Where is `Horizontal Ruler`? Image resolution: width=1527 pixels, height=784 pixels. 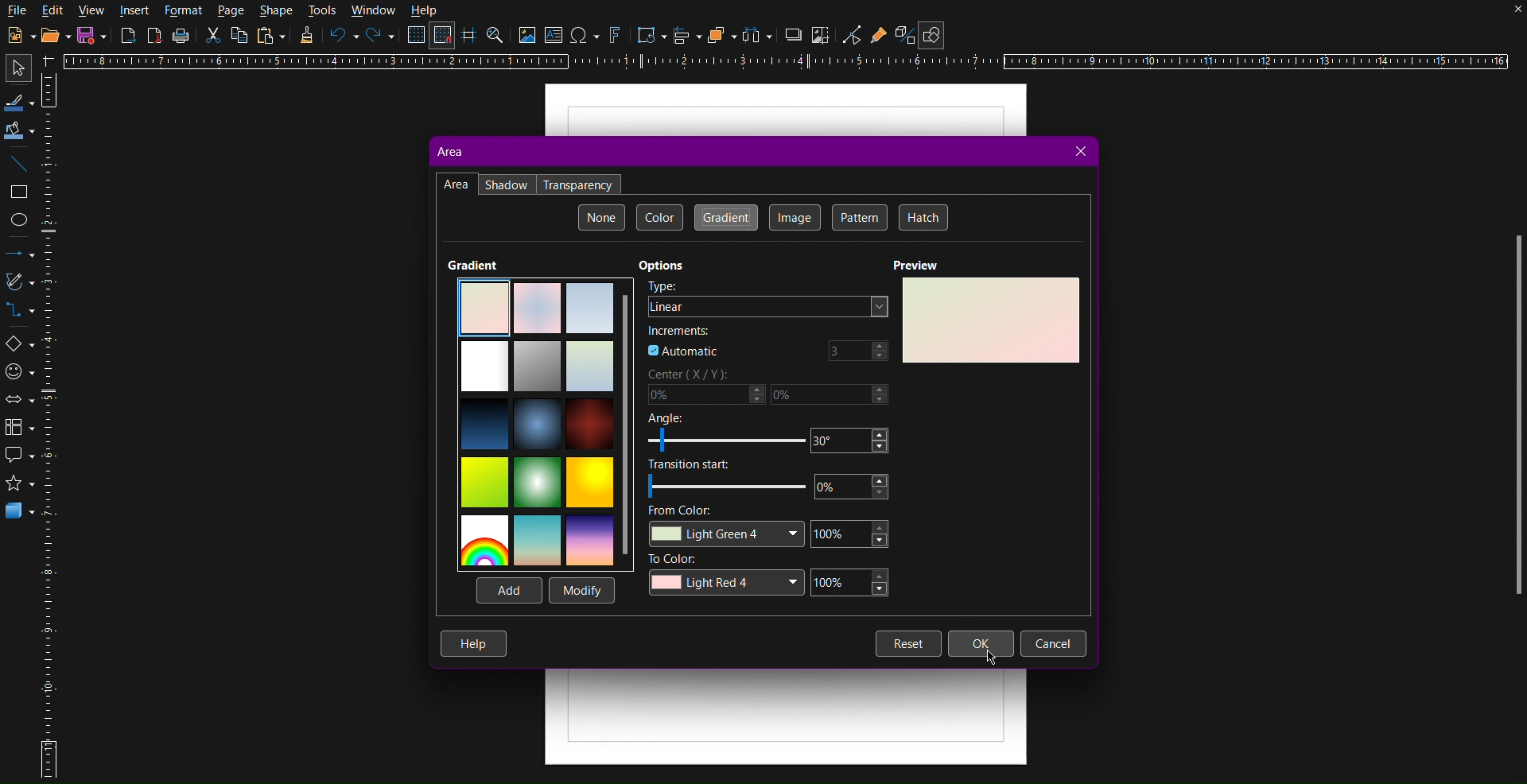 Horizontal Ruler is located at coordinates (793, 63).